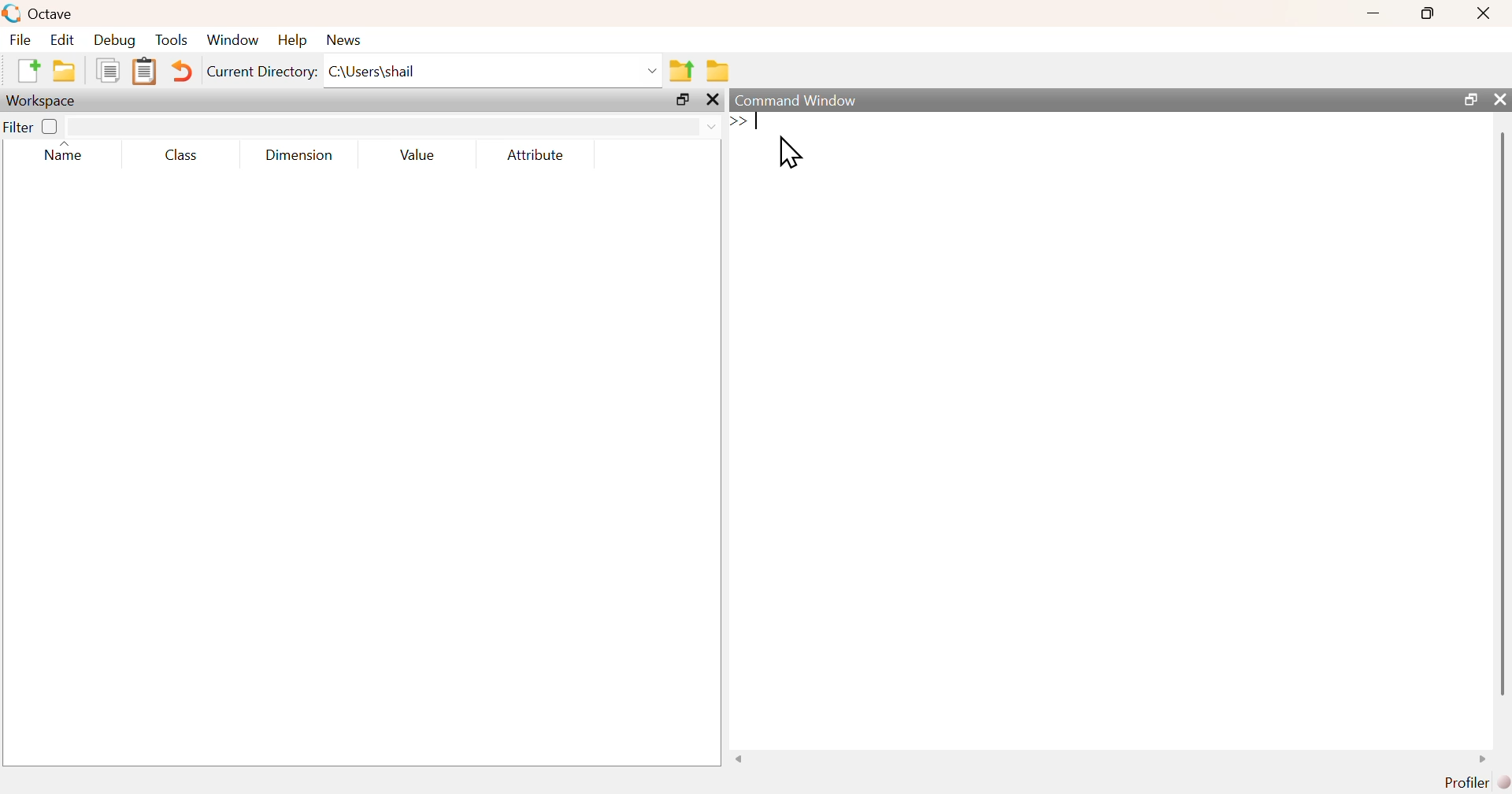 This screenshot has height=794, width=1512. Describe the element at coordinates (292, 39) in the screenshot. I see `Help` at that location.